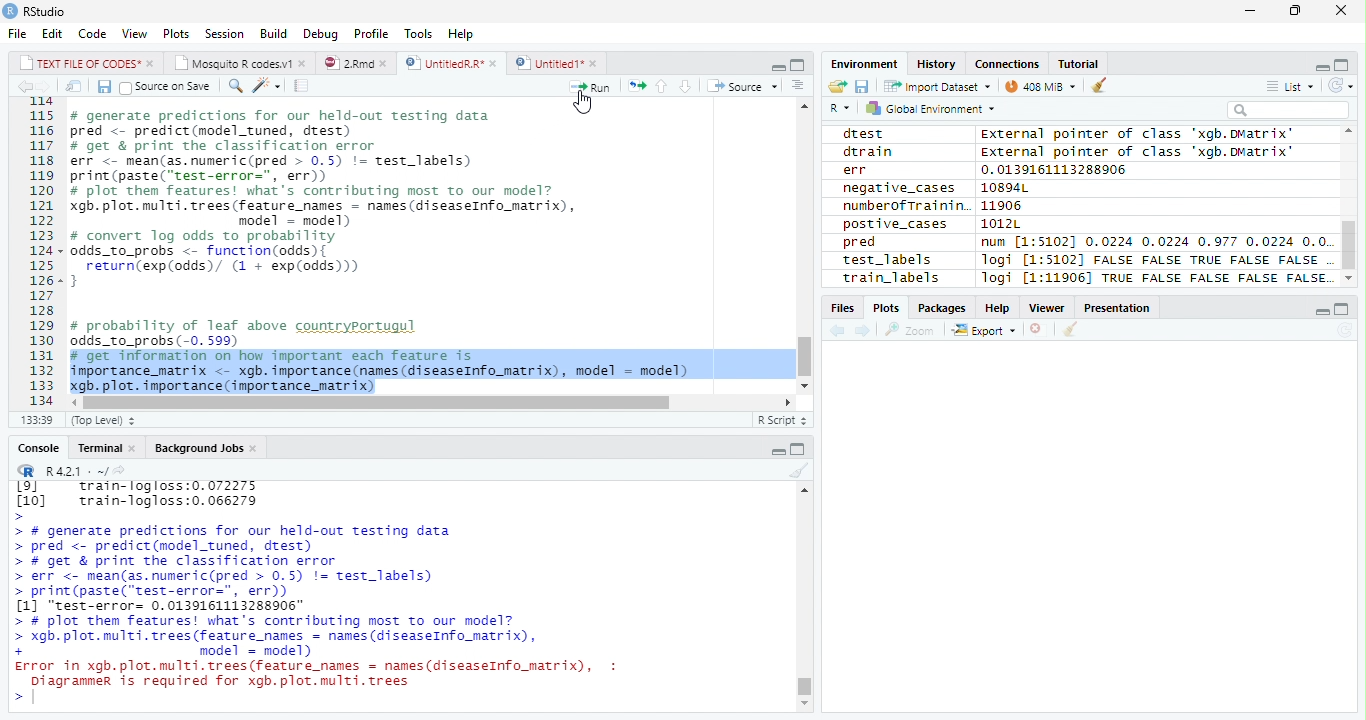 This screenshot has height=720, width=1366. What do you see at coordinates (1008, 188) in the screenshot?
I see `10894L` at bounding box center [1008, 188].